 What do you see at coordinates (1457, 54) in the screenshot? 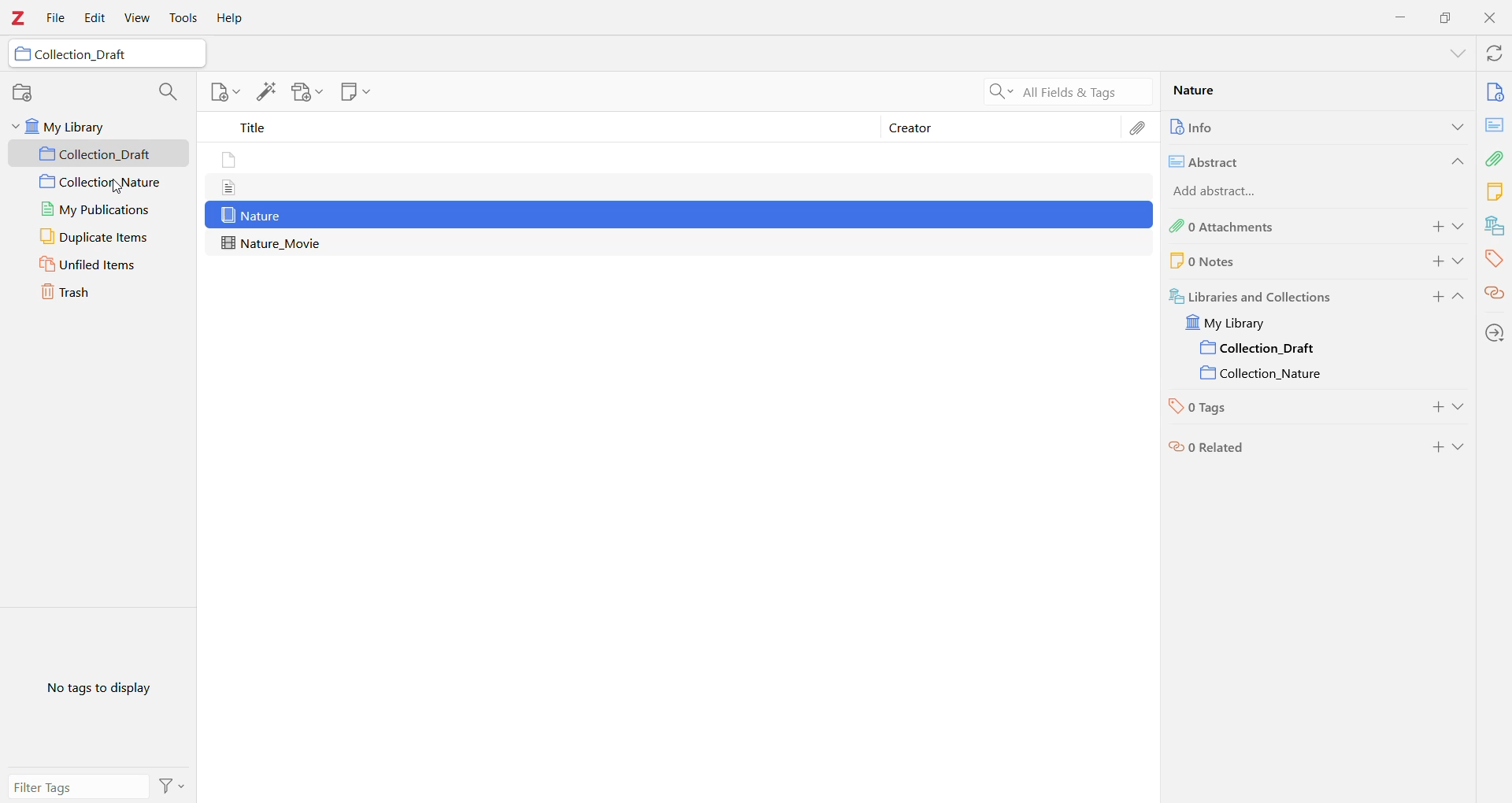
I see `Expand Section` at bounding box center [1457, 54].